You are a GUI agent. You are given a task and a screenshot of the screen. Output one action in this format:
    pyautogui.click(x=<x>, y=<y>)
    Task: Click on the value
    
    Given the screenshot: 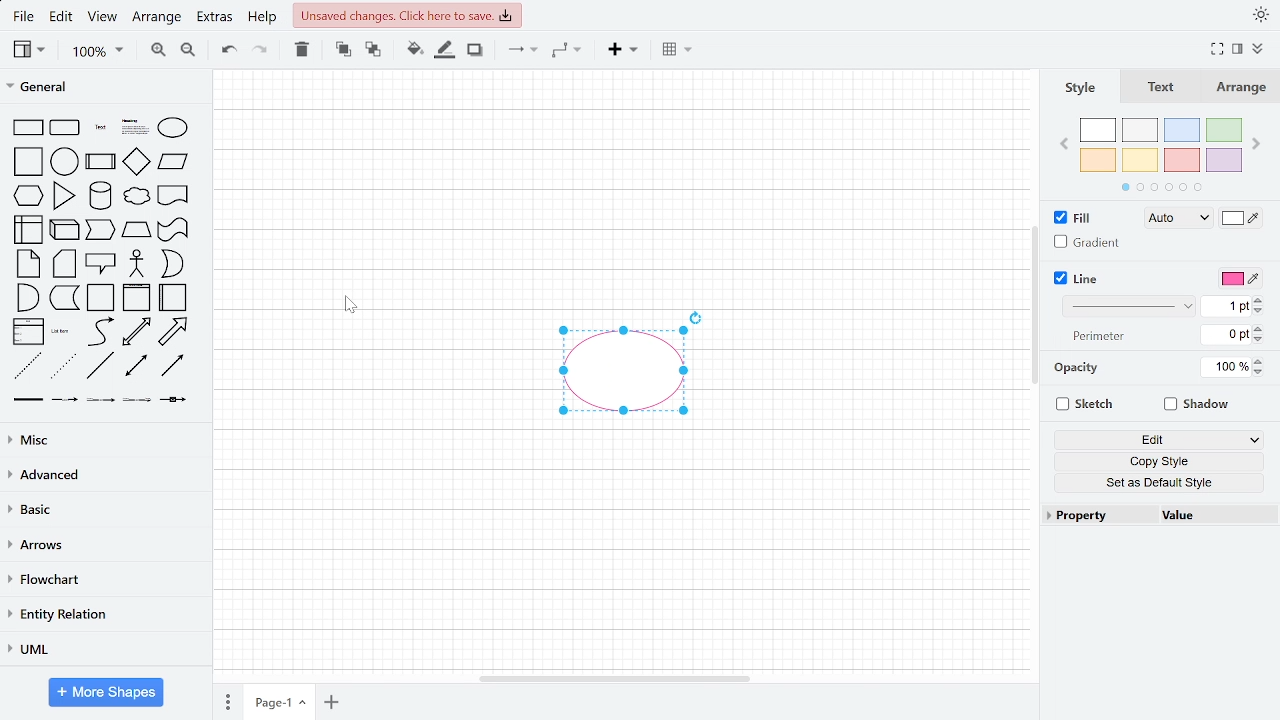 What is the action you would take?
    pyautogui.click(x=1216, y=516)
    